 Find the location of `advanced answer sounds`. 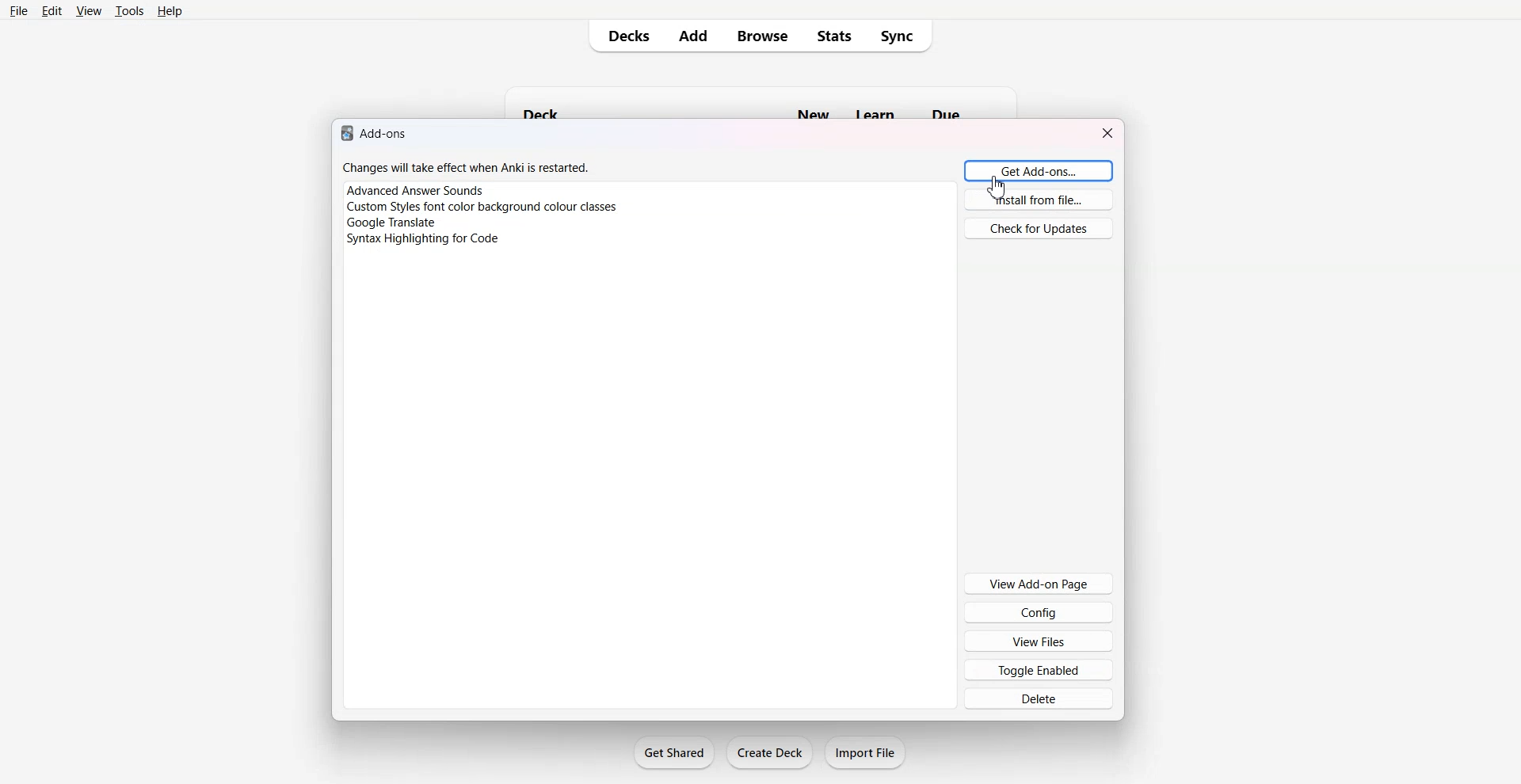

advanced answer sounds is located at coordinates (416, 190).